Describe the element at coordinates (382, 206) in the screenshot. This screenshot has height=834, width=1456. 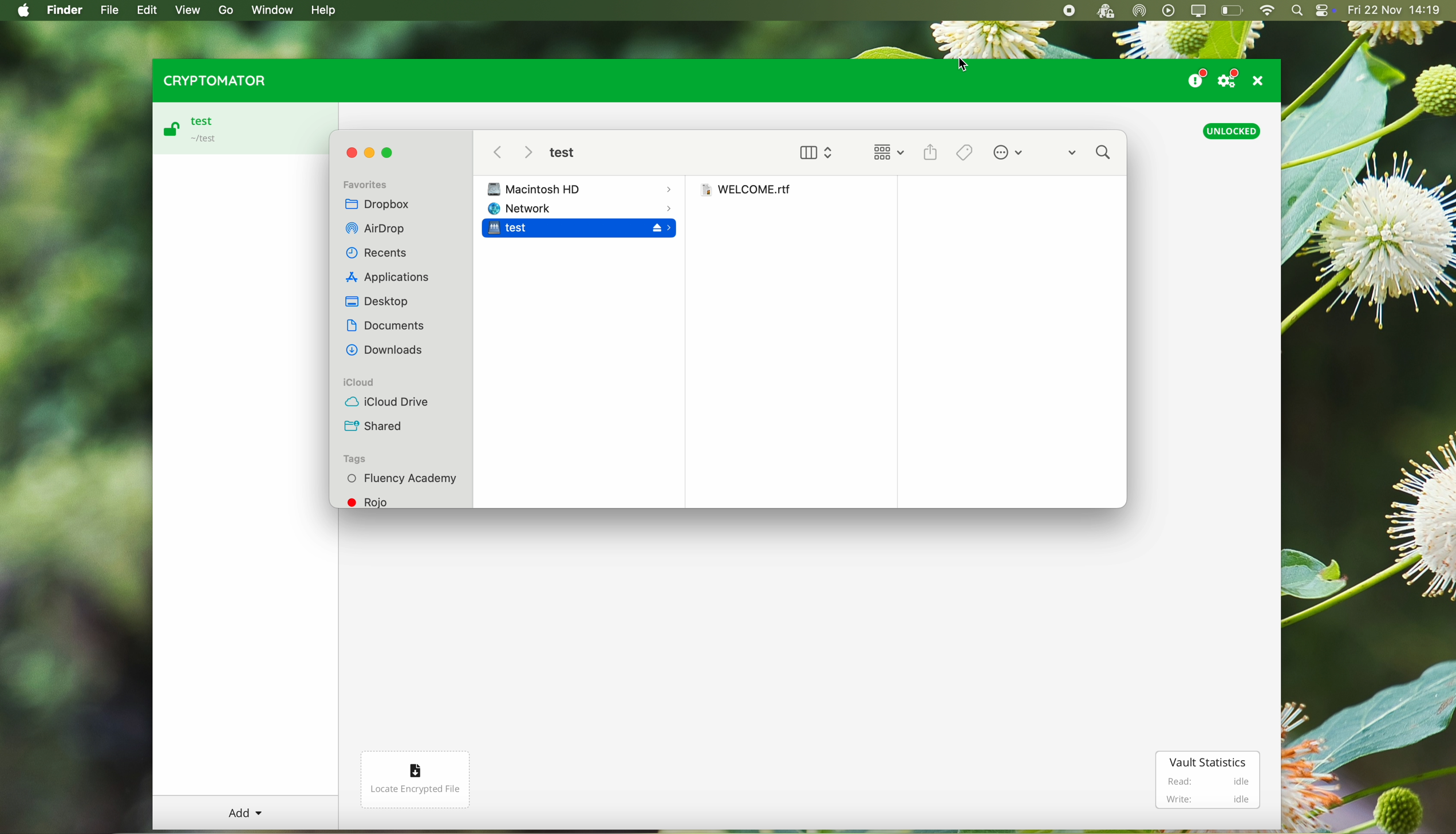
I see `dropbox` at that location.